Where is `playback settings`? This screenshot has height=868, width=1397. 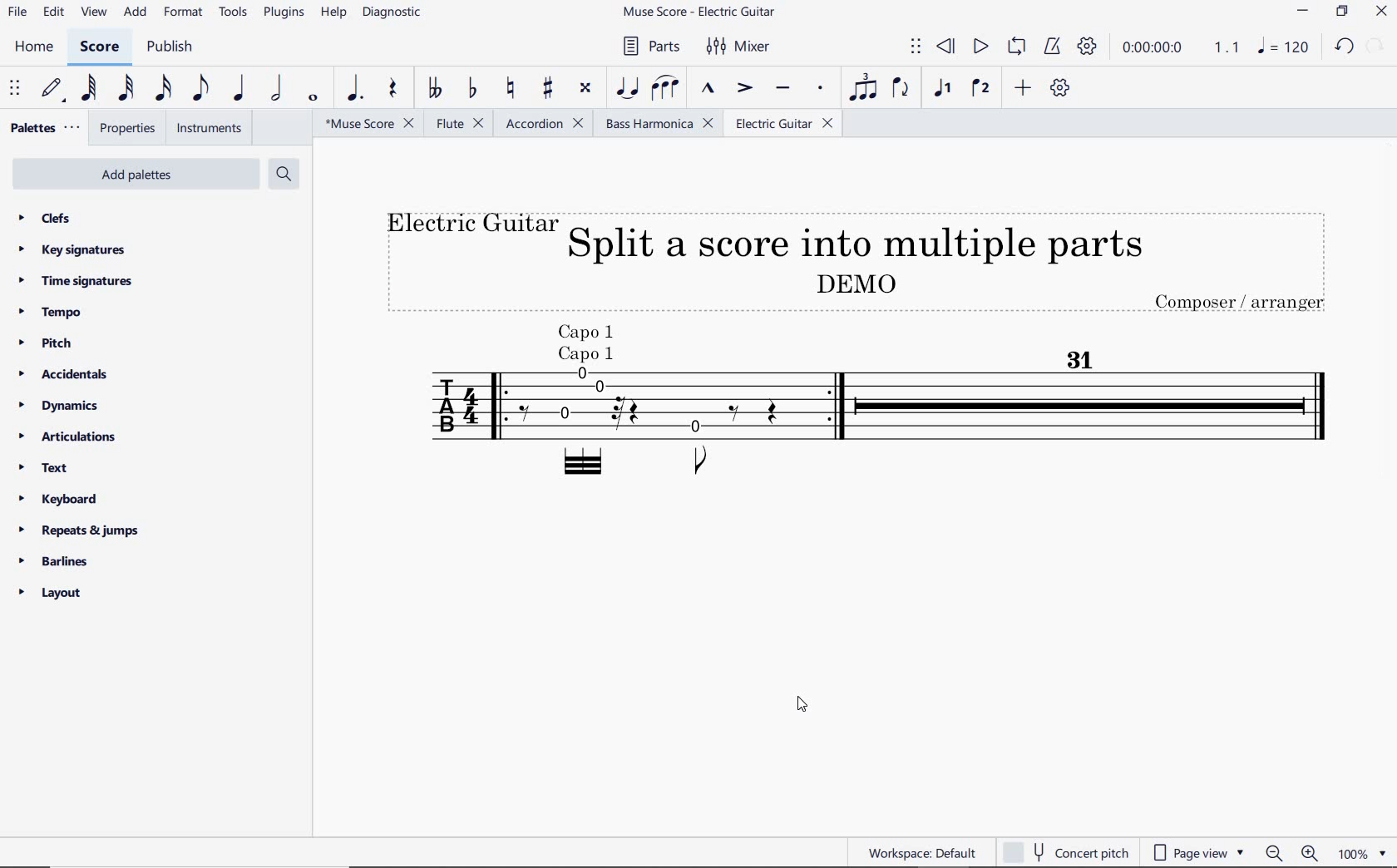
playback settings is located at coordinates (1087, 45).